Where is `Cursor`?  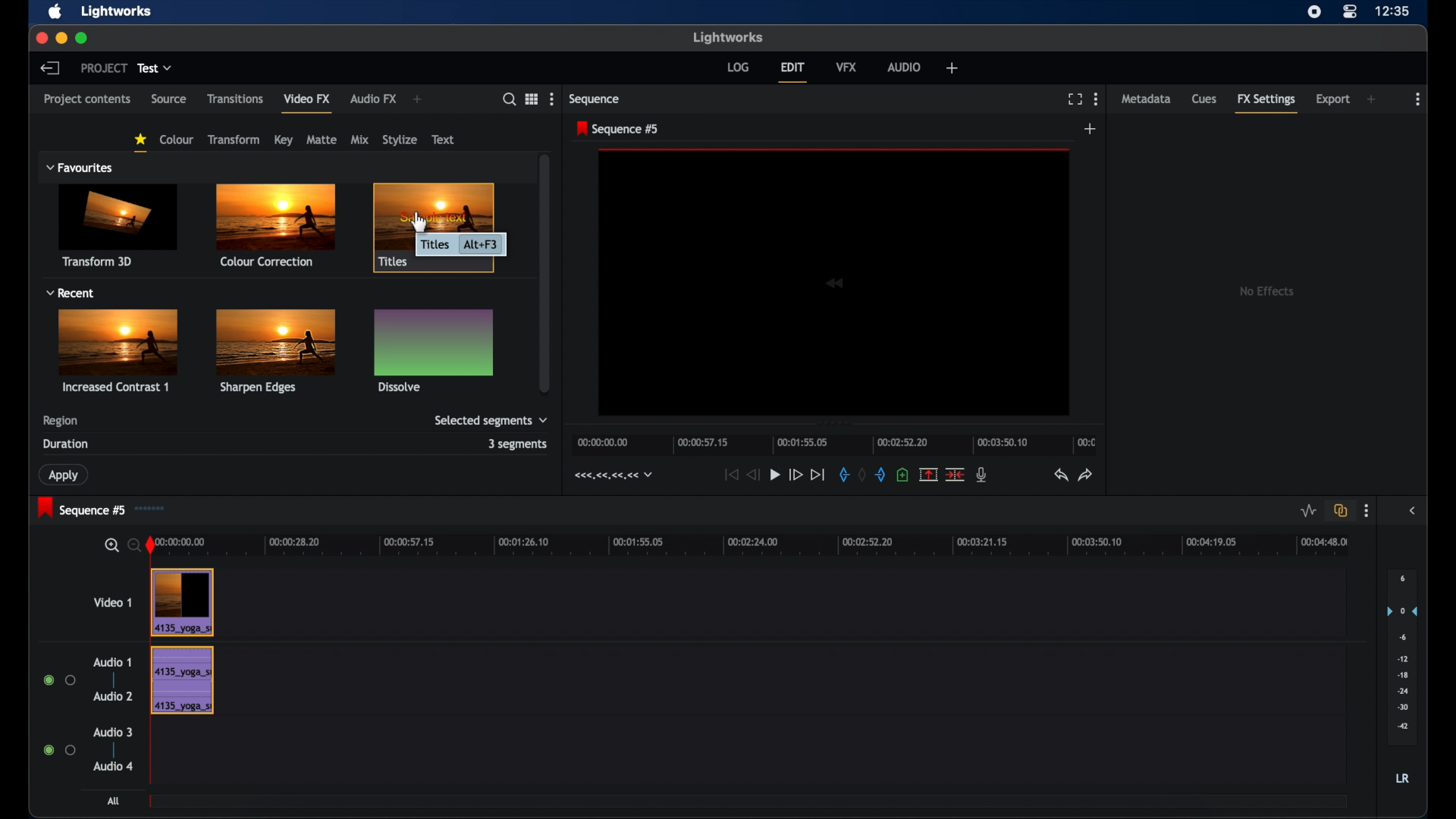
Cursor is located at coordinates (422, 226).